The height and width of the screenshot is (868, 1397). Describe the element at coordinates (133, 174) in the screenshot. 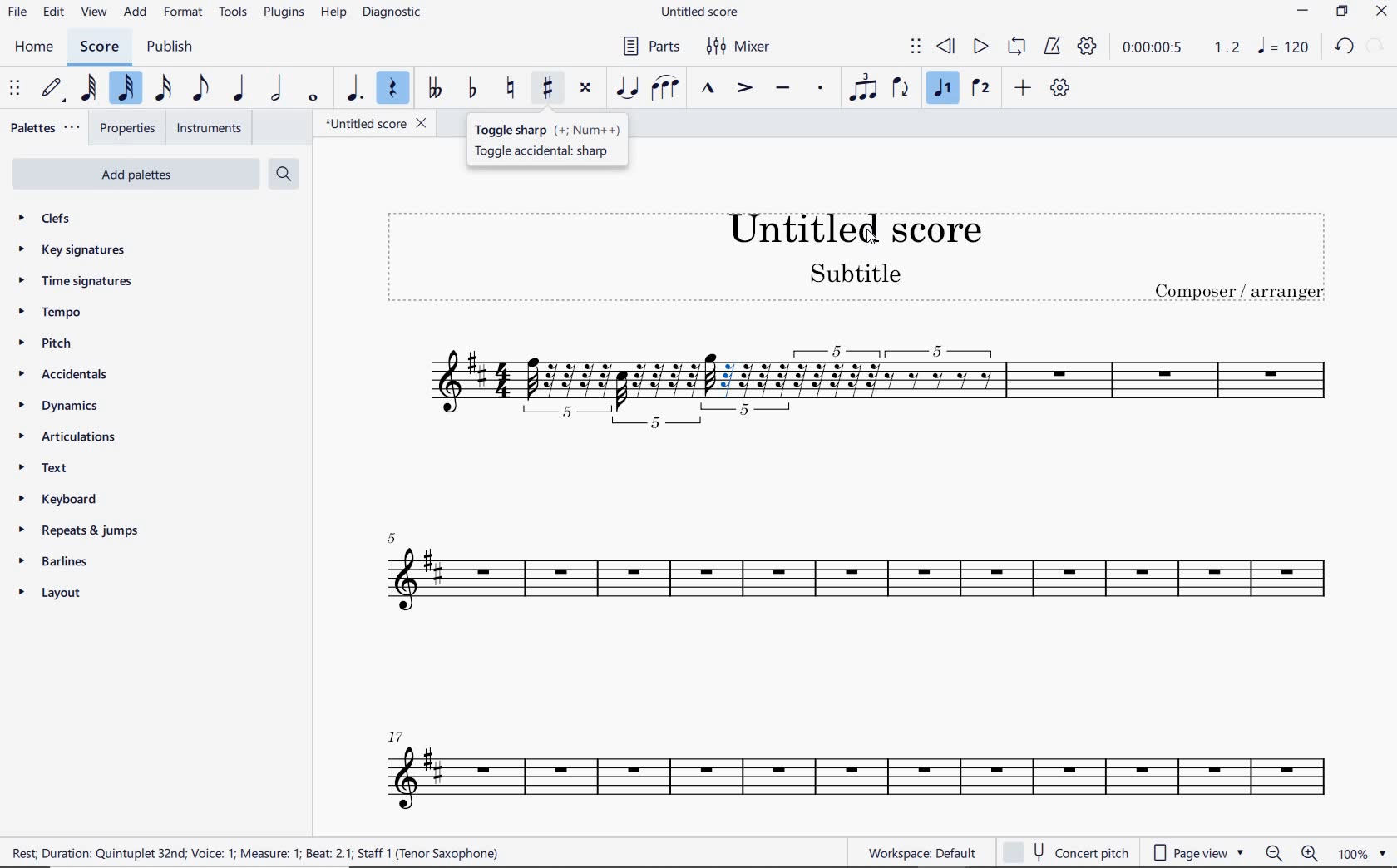

I see `ADD PALETTES` at that location.